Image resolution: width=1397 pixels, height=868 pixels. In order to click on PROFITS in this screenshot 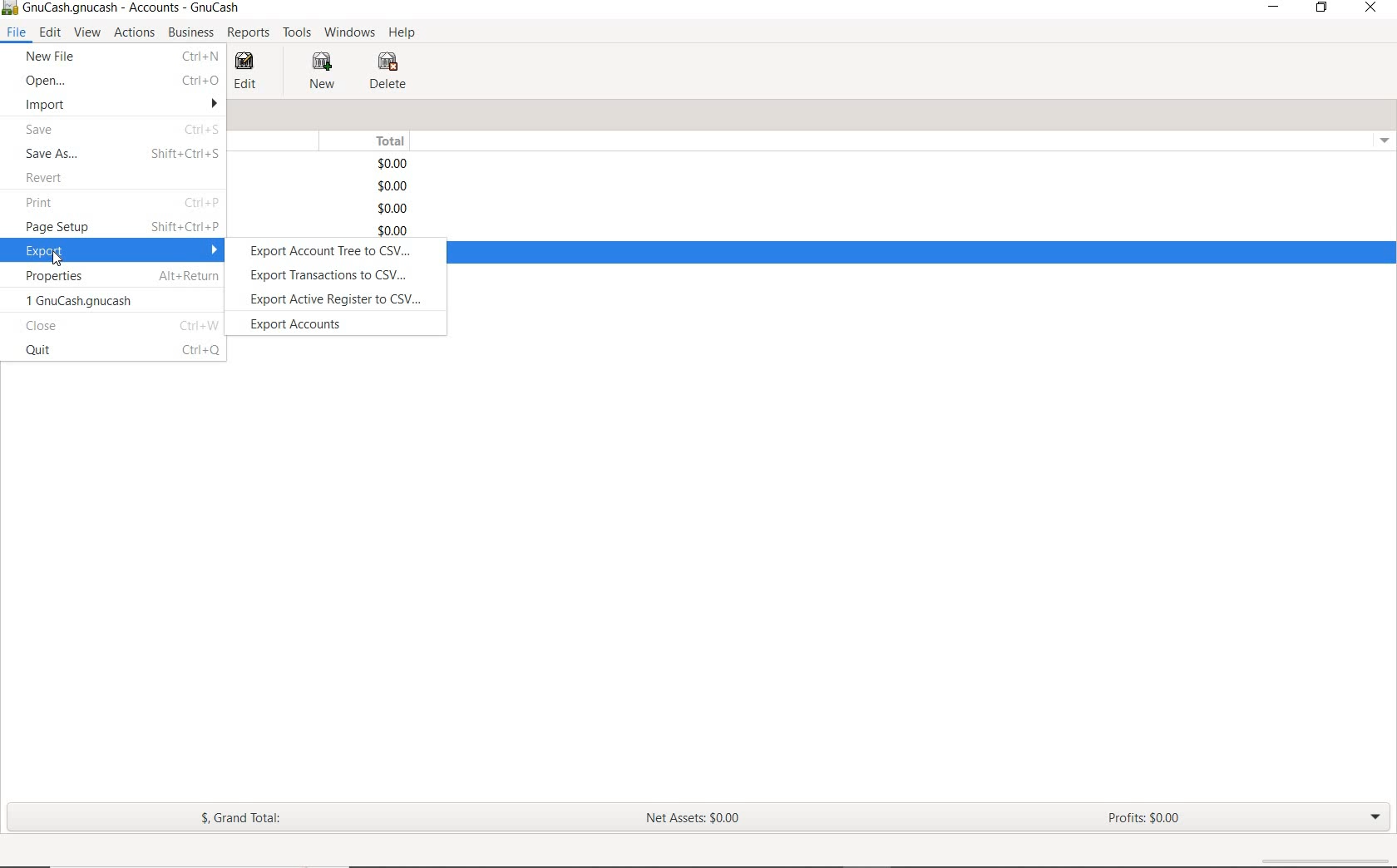, I will do `click(1145, 817)`.